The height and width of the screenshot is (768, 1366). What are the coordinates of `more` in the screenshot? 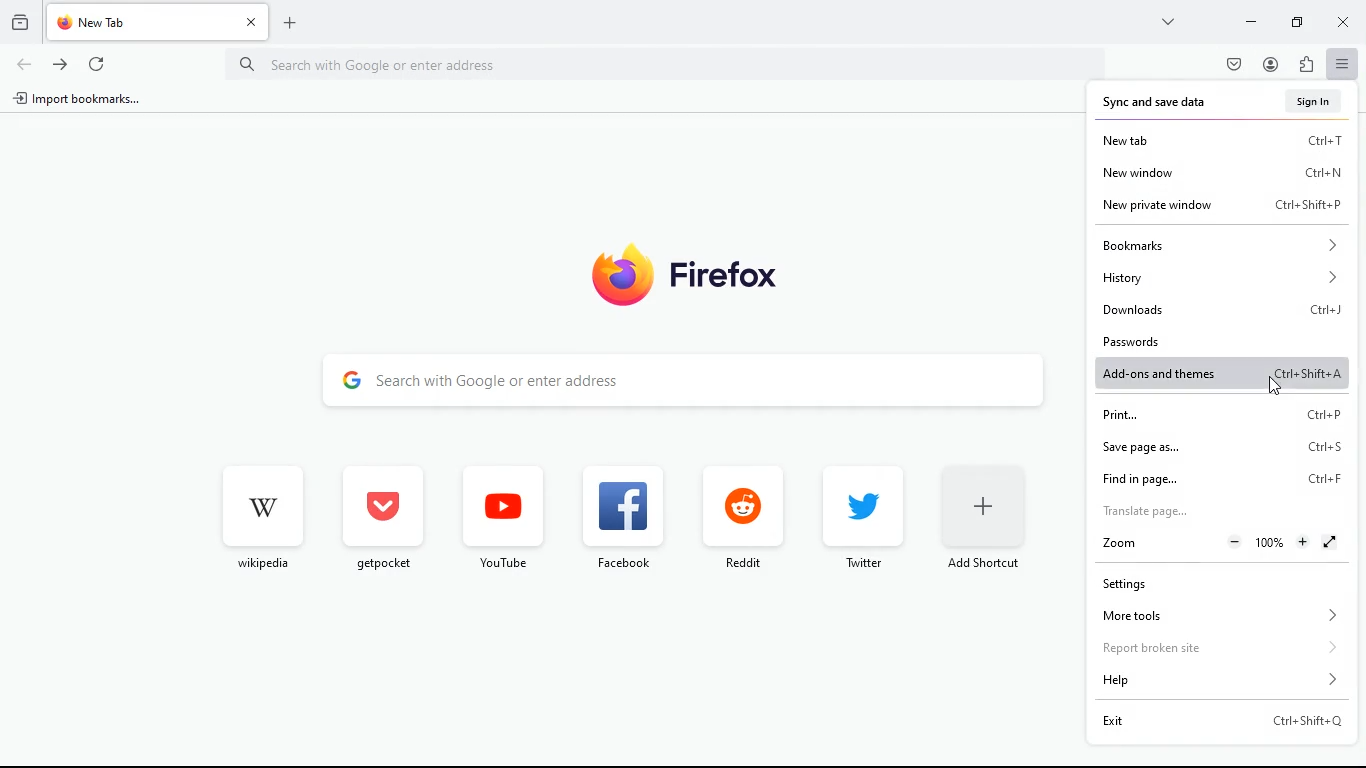 It's located at (1170, 22).